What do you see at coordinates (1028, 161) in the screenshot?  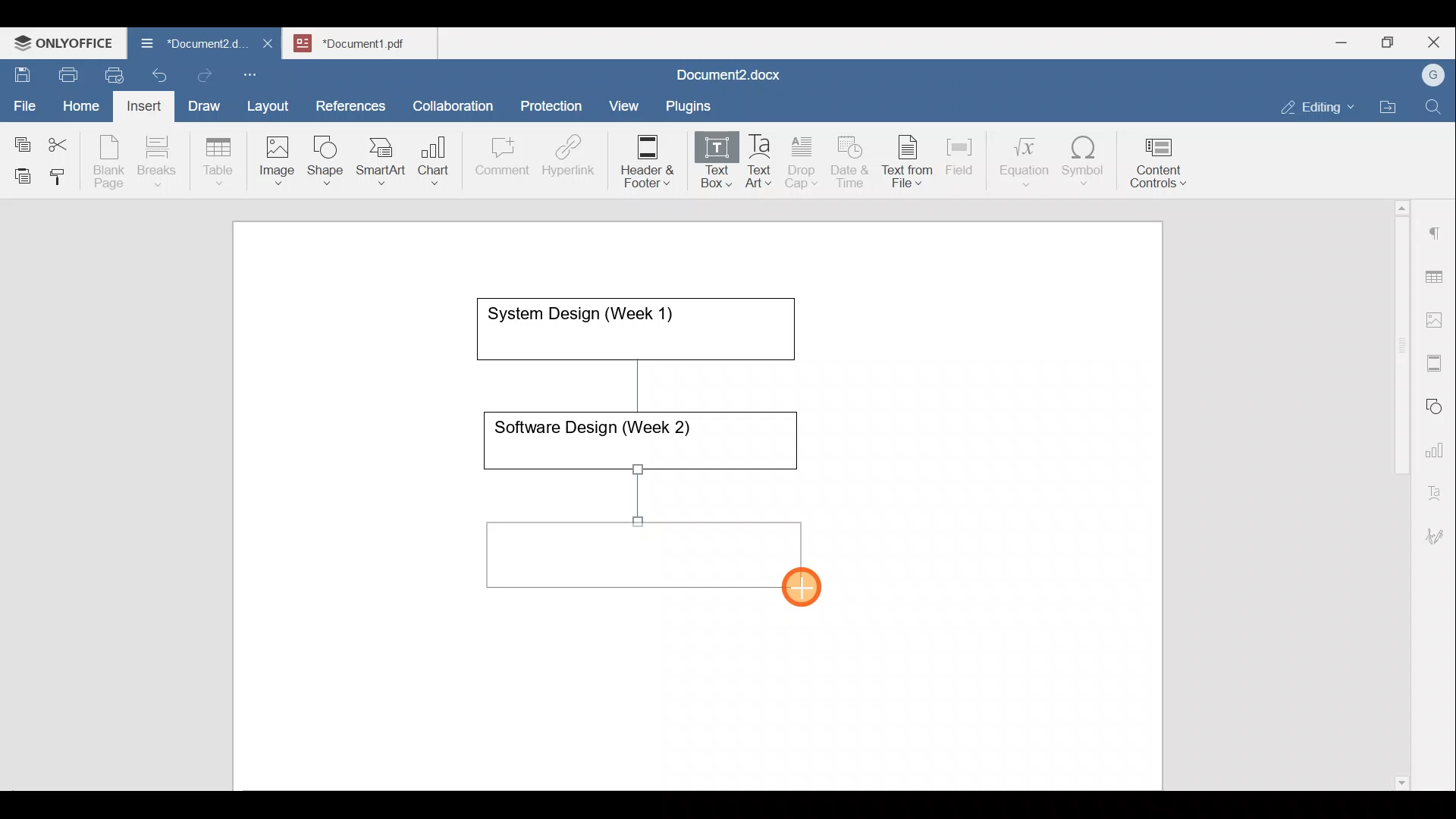 I see `Equation` at bounding box center [1028, 161].